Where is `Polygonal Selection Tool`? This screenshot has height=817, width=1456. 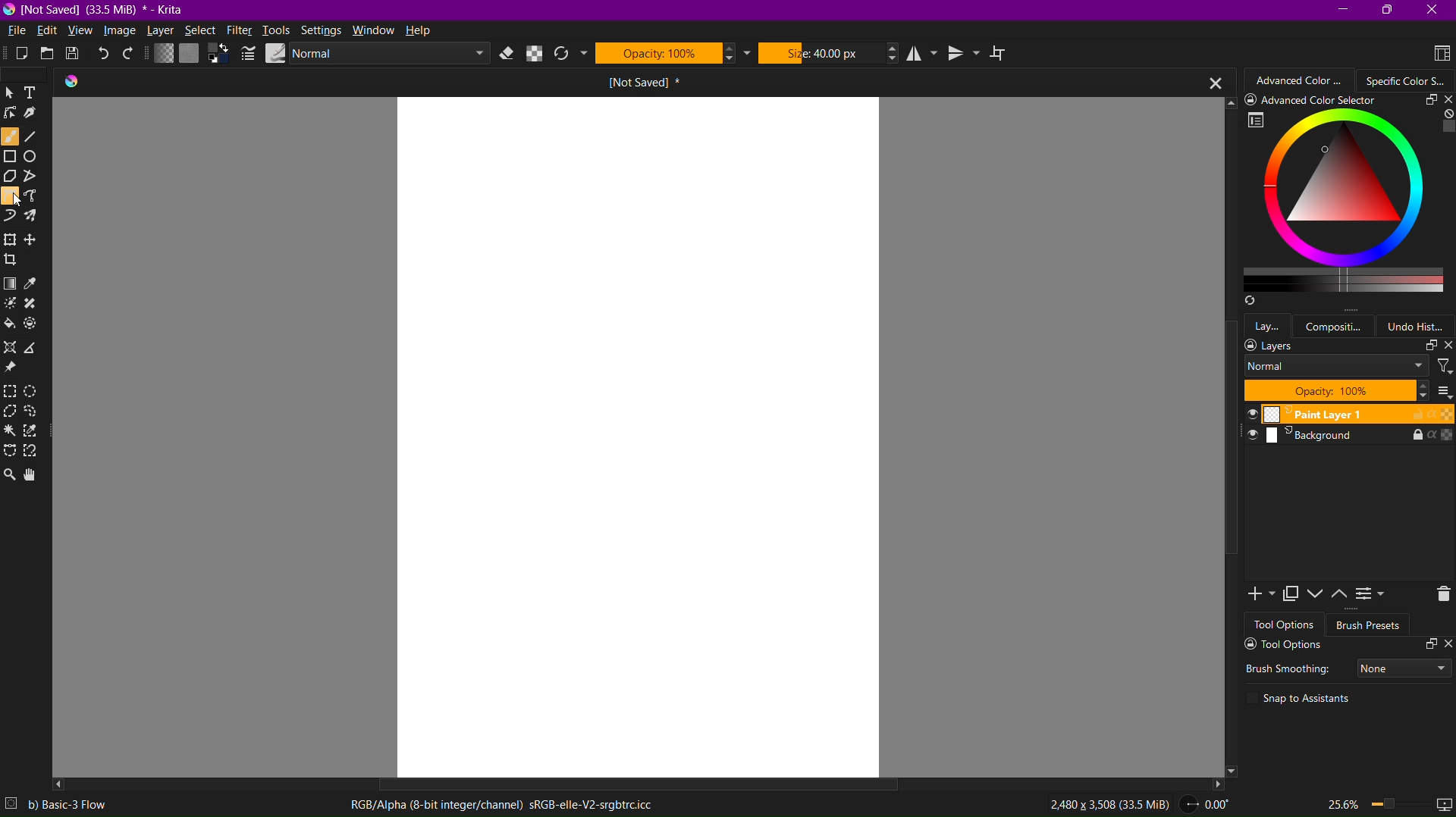 Polygonal Selection Tool is located at coordinates (12, 412).